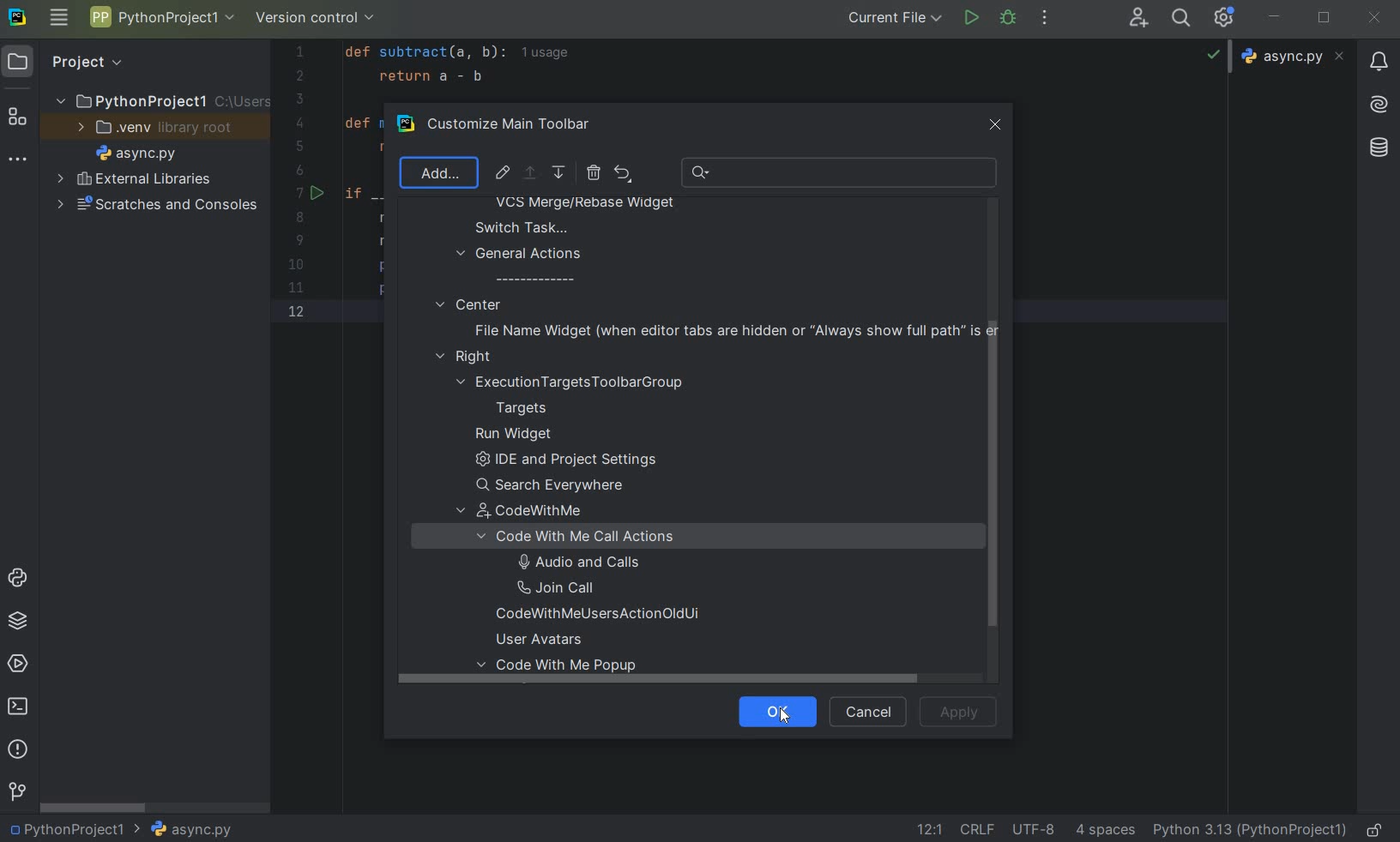  Describe the element at coordinates (573, 382) in the screenshot. I see `execution Targets Toolbar Group` at that location.